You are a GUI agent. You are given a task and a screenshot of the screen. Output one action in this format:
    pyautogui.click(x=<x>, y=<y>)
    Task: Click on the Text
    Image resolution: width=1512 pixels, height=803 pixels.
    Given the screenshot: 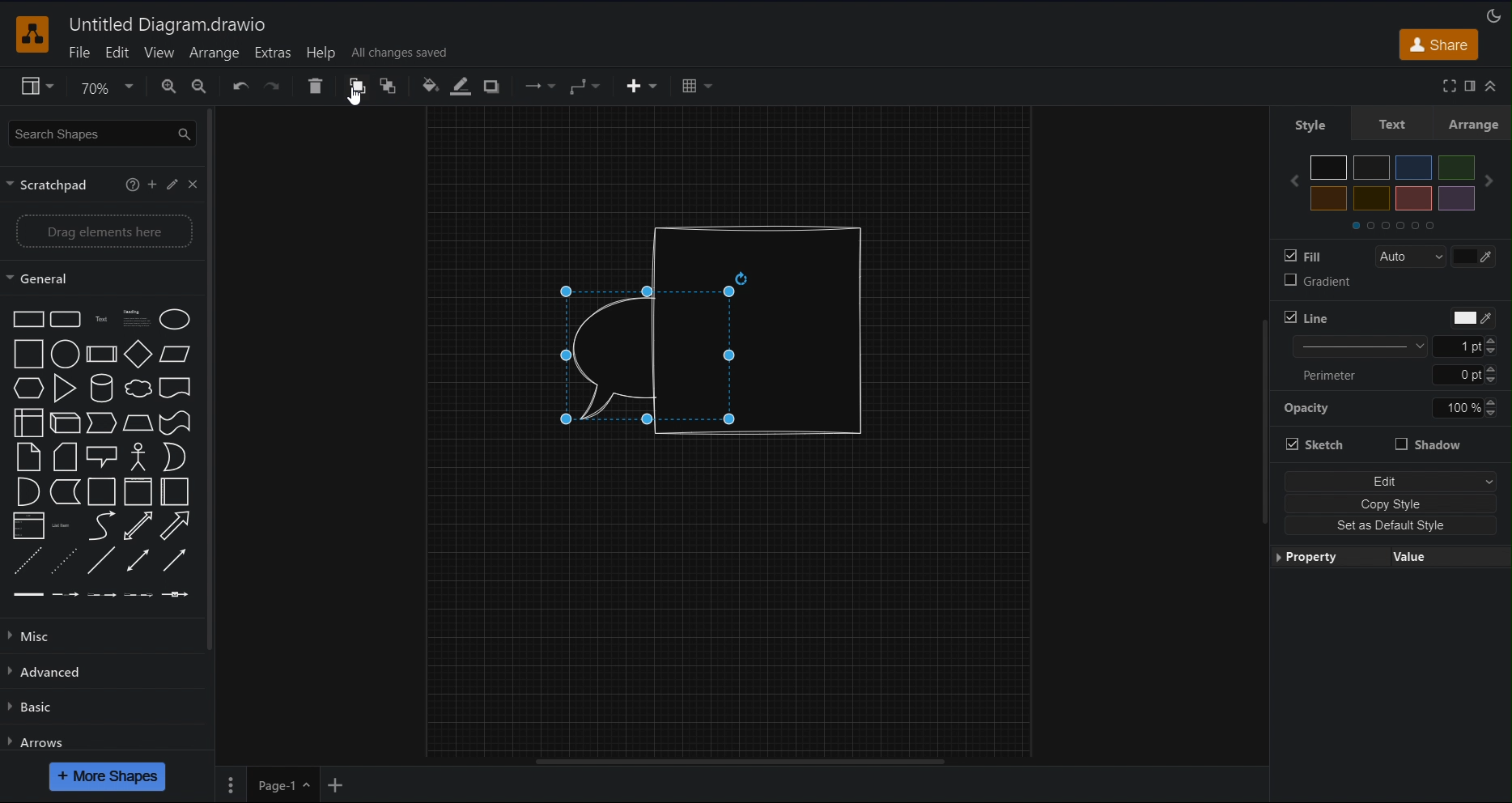 What is the action you would take?
    pyautogui.click(x=101, y=320)
    